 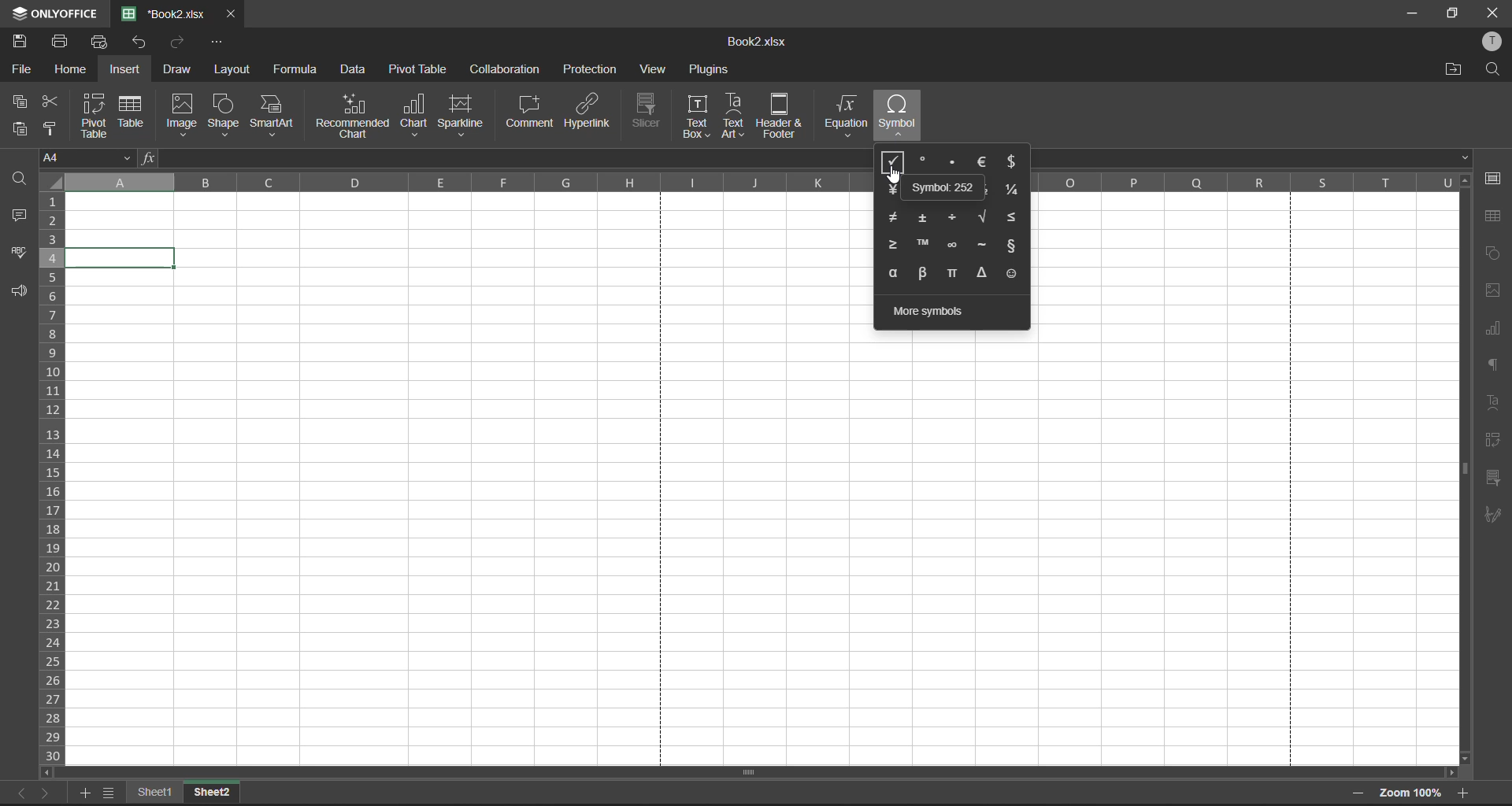 I want to click on white smiling face, so click(x=1008, y=276).